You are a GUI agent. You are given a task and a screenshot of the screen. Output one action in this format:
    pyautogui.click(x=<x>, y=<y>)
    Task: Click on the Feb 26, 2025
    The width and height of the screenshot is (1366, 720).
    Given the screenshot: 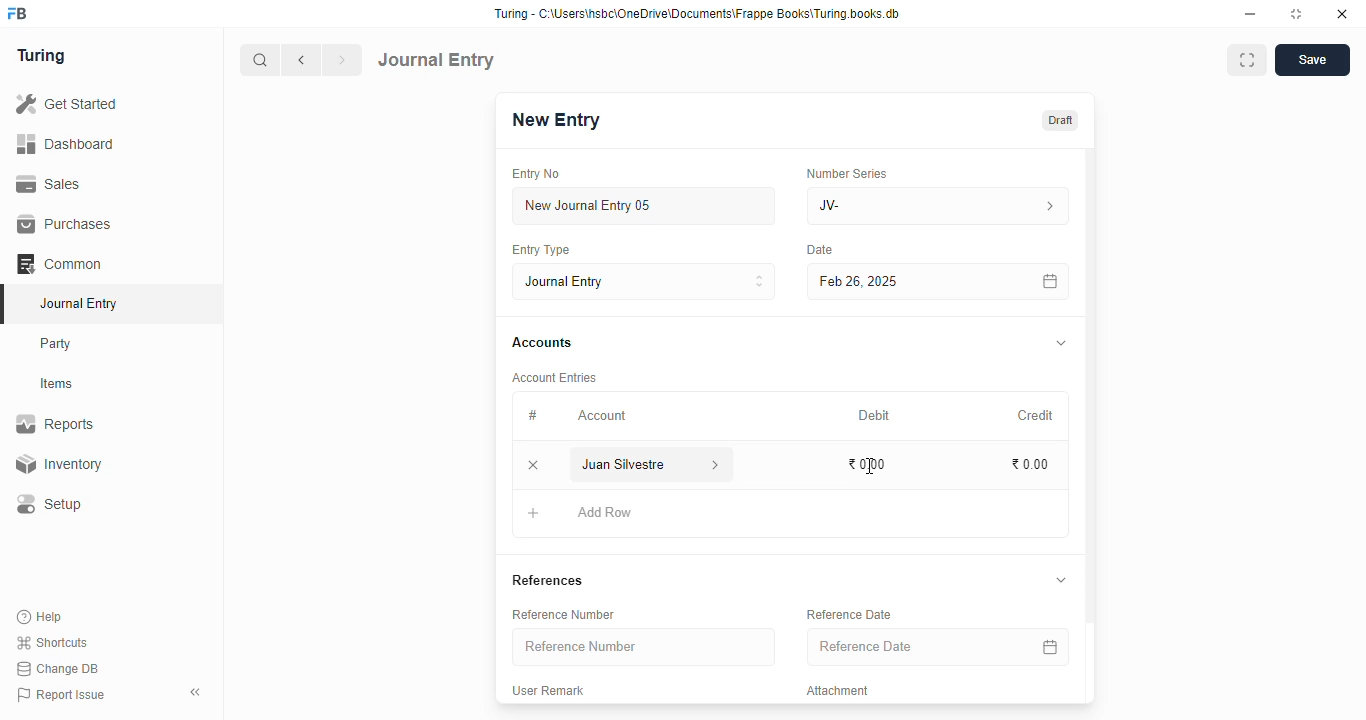 What is the action you would take?
    pyautogui.click(x=895, y=281)
    